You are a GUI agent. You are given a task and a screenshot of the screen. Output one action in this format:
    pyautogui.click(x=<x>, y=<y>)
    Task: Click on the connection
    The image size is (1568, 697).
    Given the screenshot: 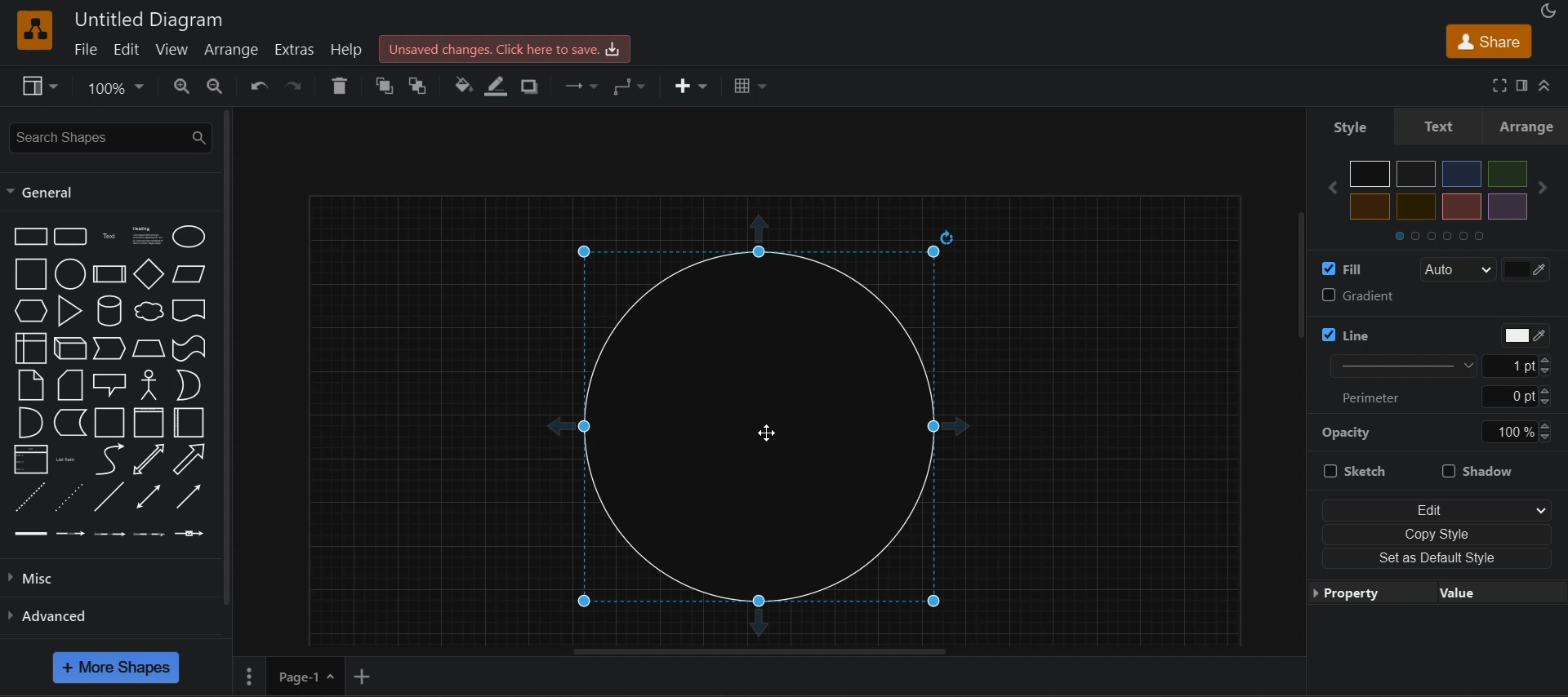 What is the action you would take?
    pyautogui.click(x=581, y=85)
    